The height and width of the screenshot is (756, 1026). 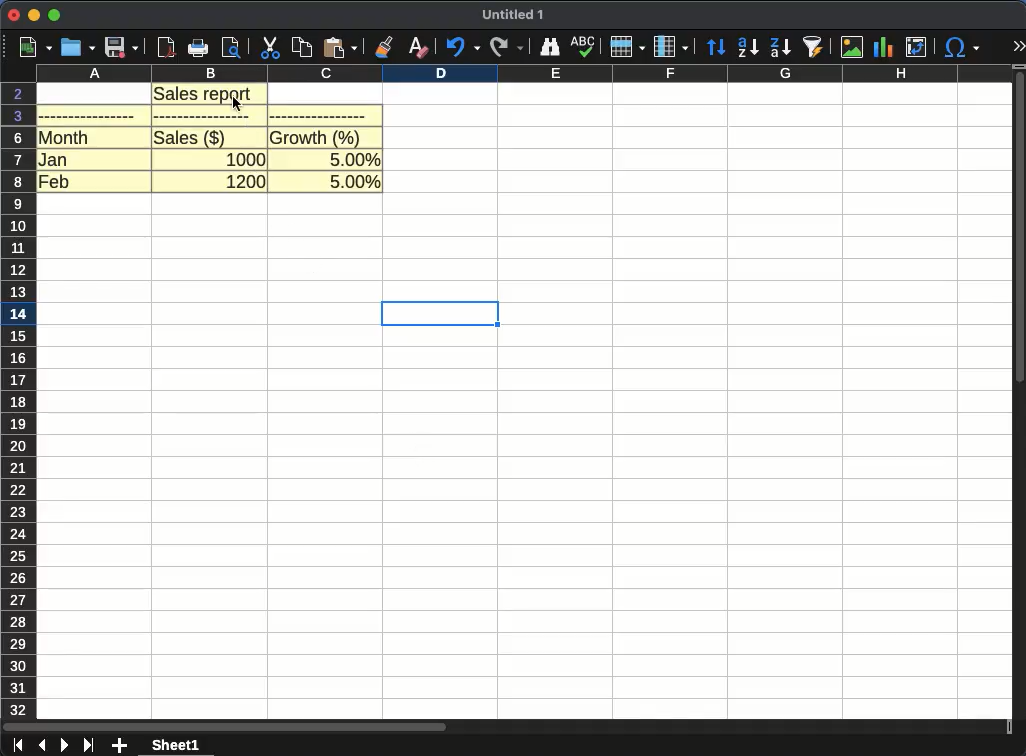 What do you see at coordinates (13, 16) in the screenshot?
I see `close` at bounding box center [13, 16].